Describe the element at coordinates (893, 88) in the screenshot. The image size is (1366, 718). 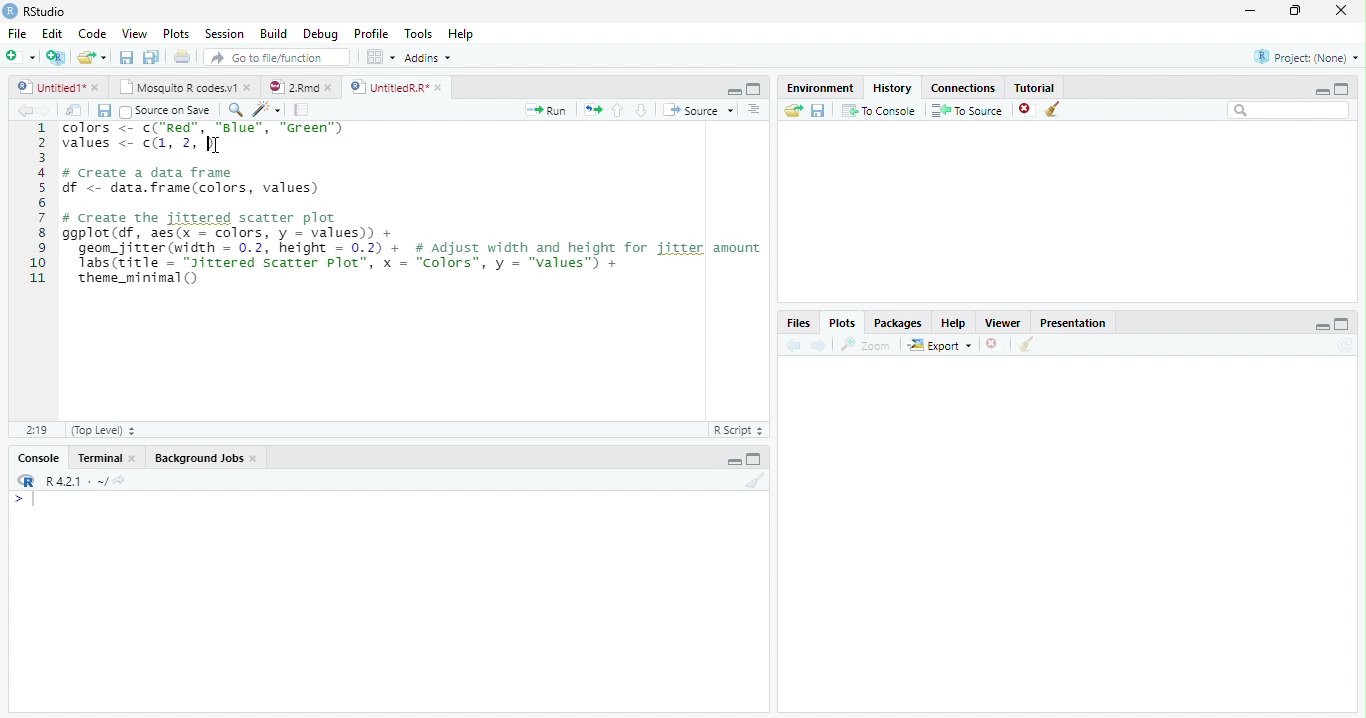
I see `History` at that location.